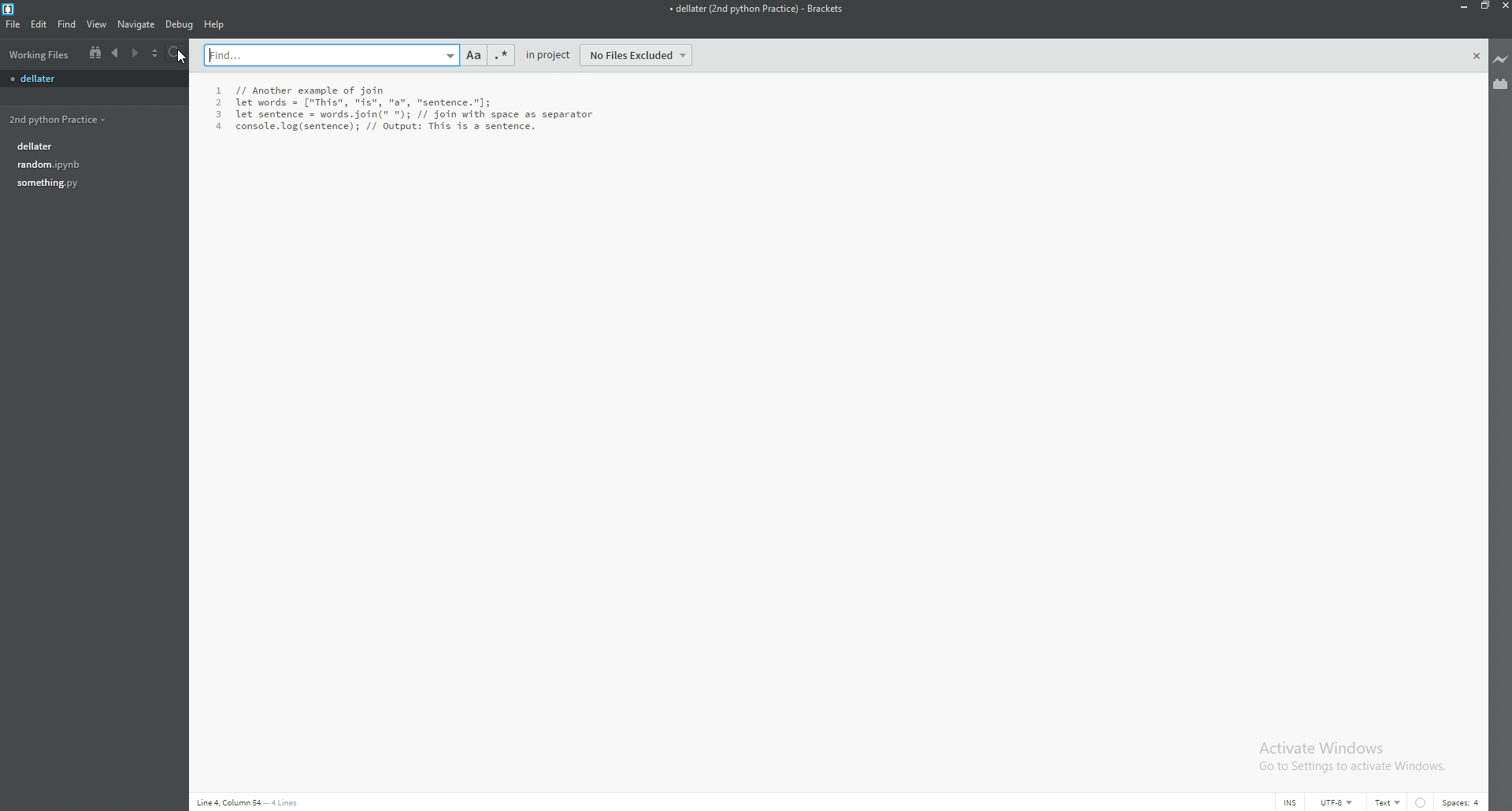 This screenshot has width=1512, height=811. Describe the element at coordinates (180, 26) in the screenshot. I see `debug` at that location.